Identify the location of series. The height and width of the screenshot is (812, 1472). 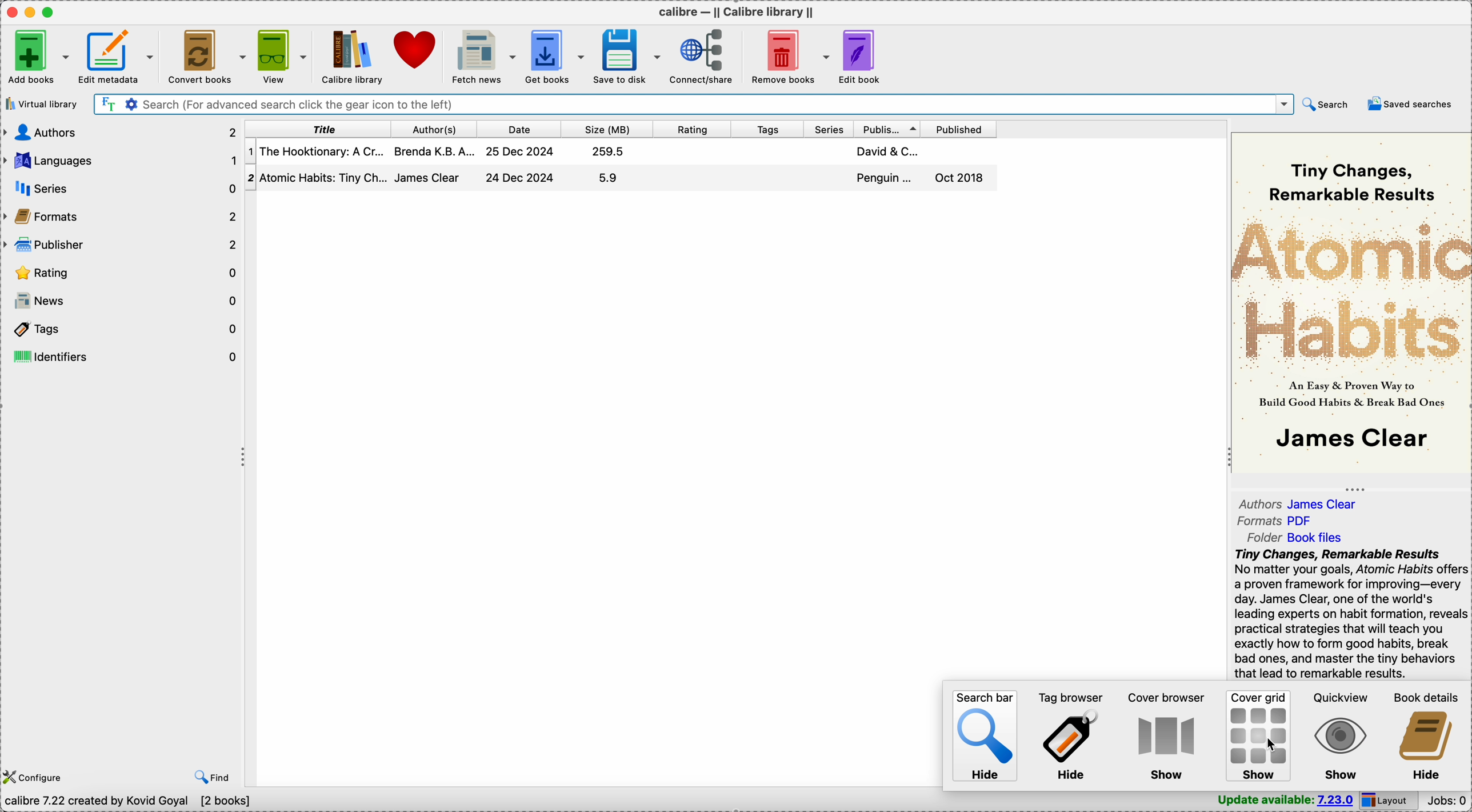
(122, 187).